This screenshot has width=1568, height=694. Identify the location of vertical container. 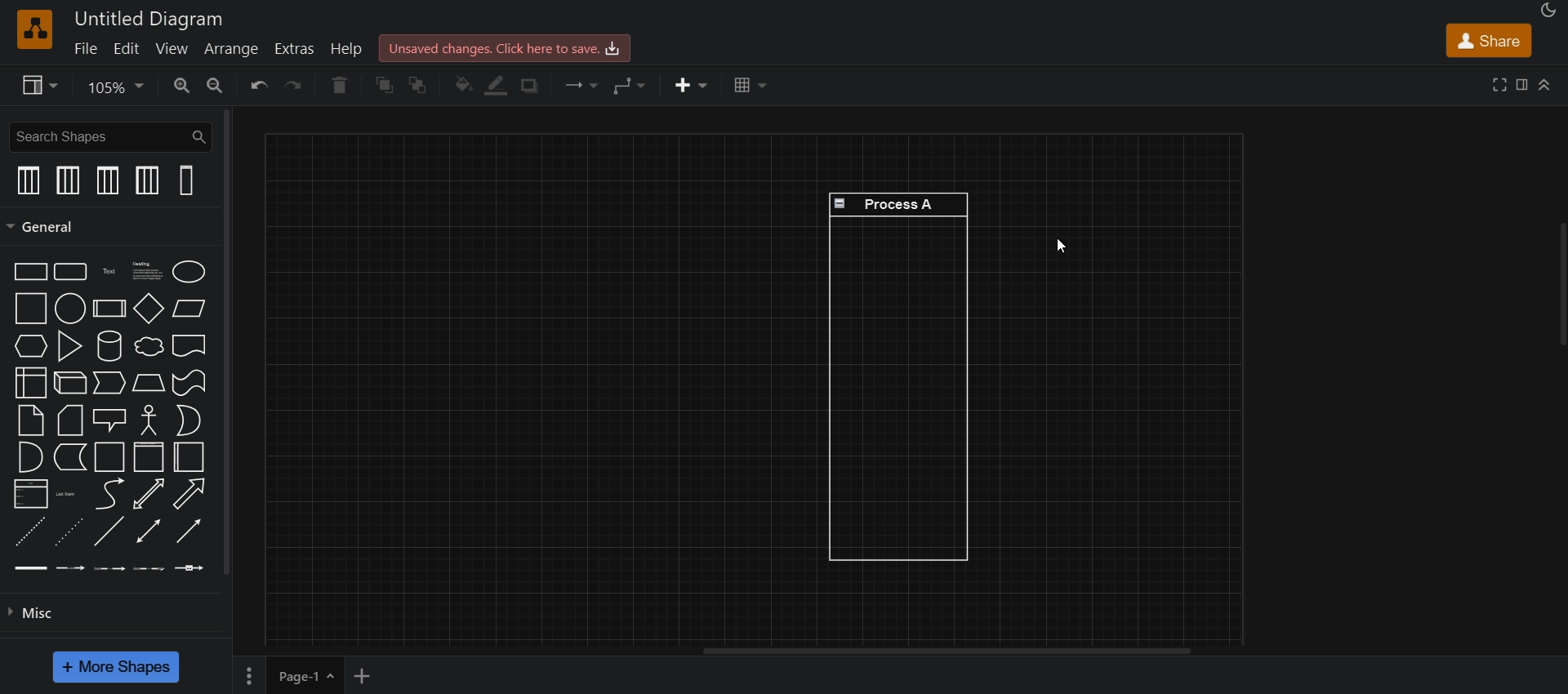
(187, 458).